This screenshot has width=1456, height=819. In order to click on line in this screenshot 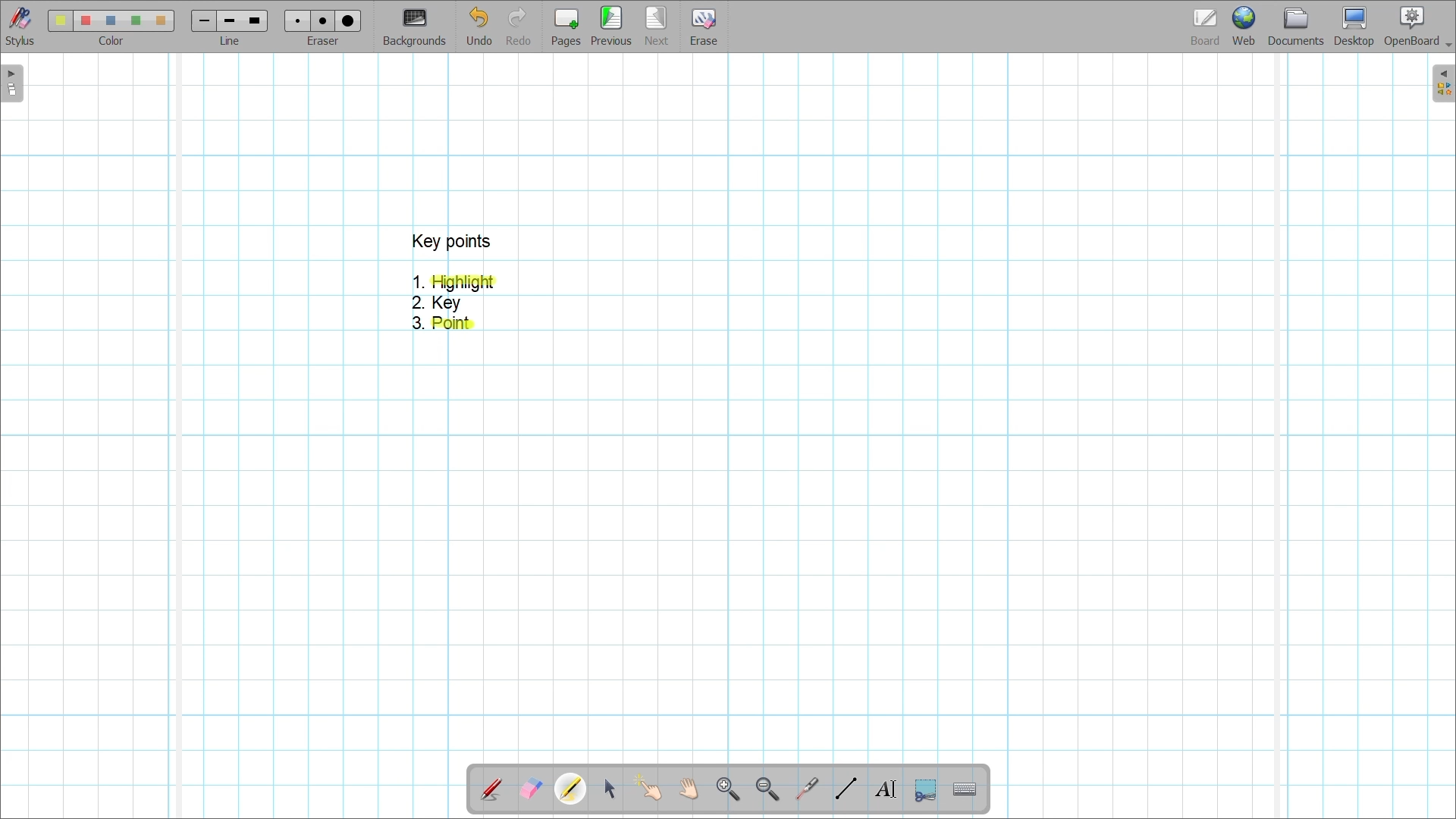, I will do `click(234, 42)`.